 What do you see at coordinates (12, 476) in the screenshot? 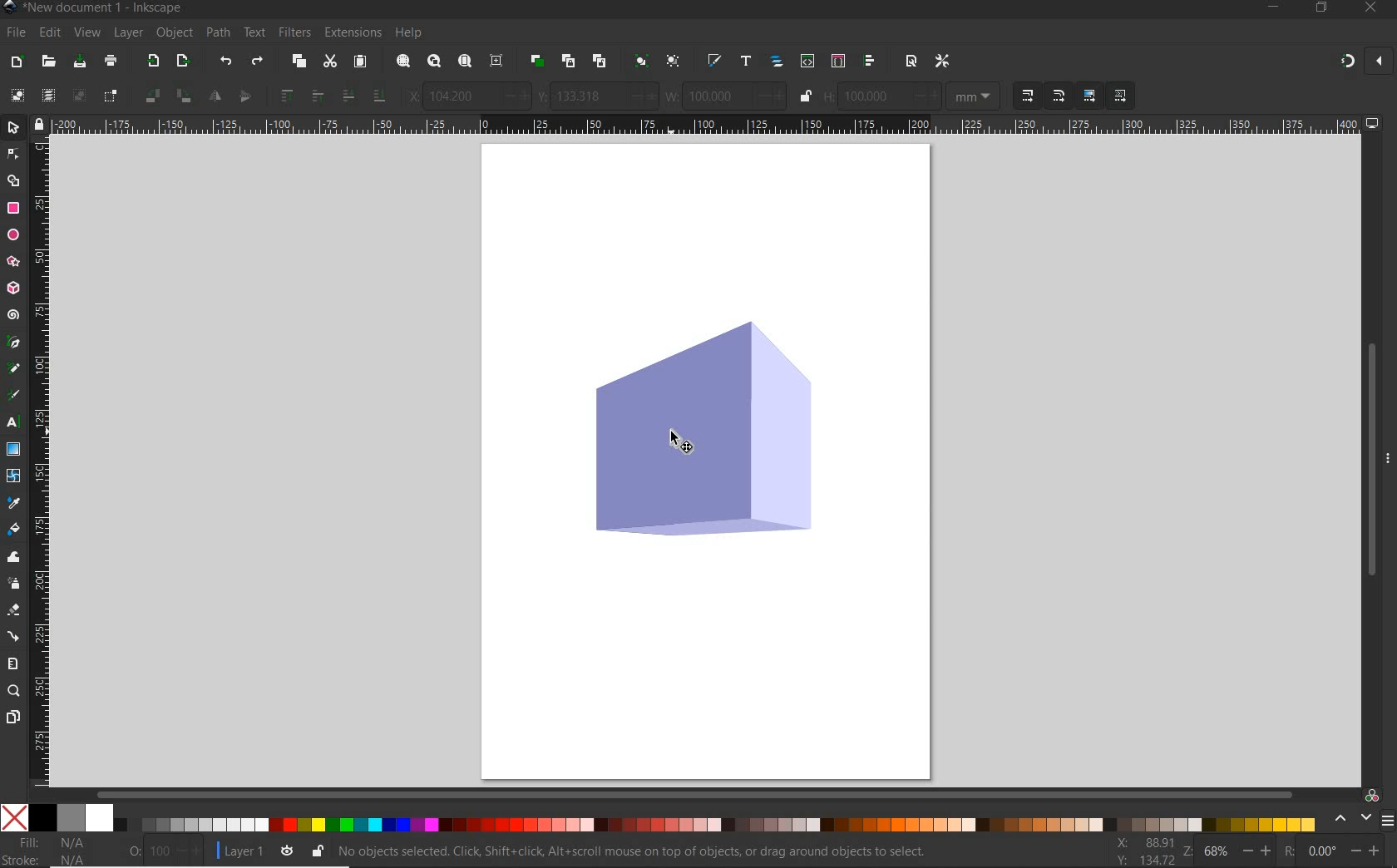
I see `MESH TOOL` at bounding box center [12, 476].